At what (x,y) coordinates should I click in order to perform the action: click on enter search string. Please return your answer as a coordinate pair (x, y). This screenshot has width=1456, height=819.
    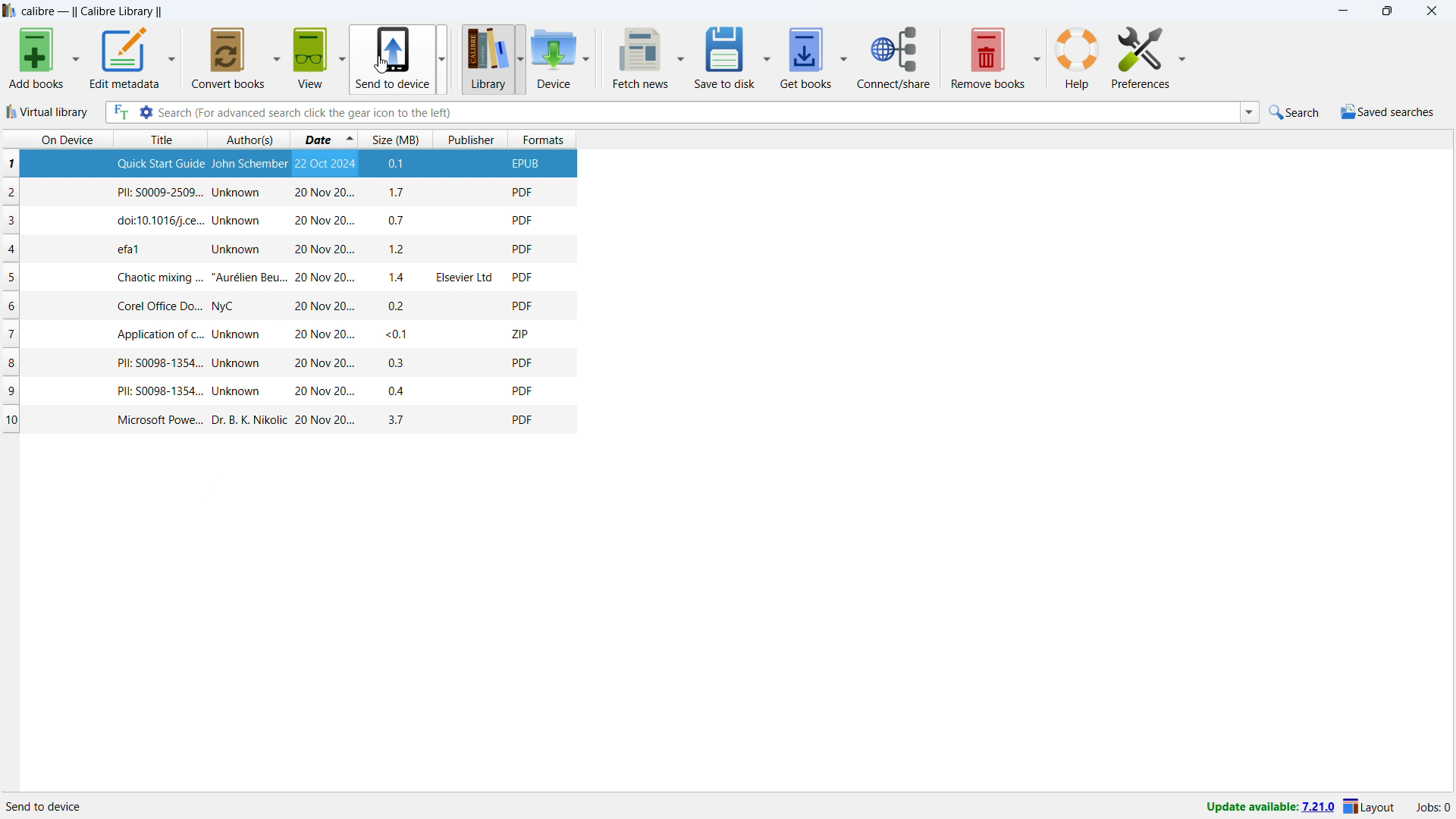
    Looking at the image, I should click on (698, 112).